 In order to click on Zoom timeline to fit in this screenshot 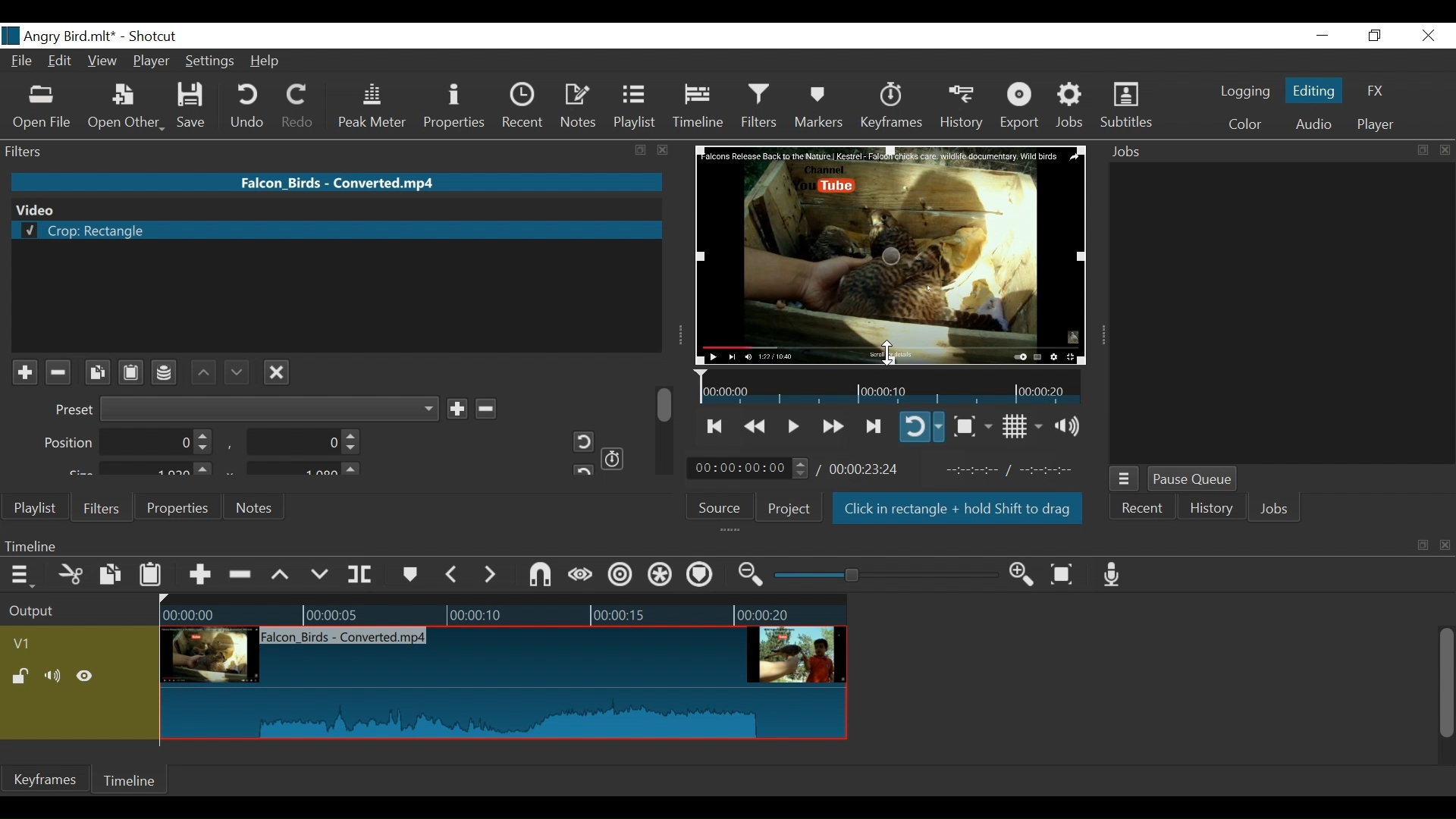, I will do `click(1068, 573)`.